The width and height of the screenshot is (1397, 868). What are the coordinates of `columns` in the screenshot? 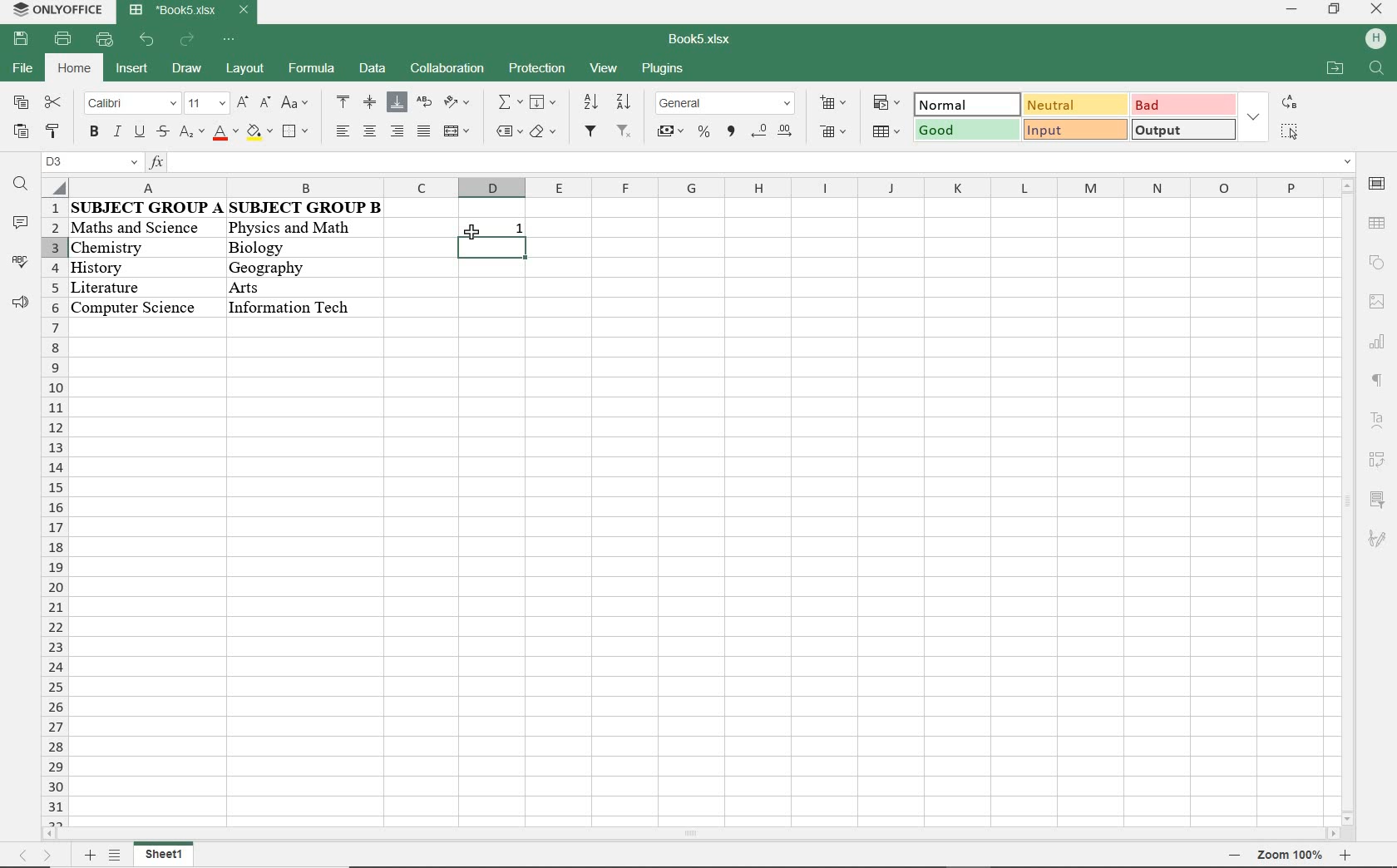 It's located at (684, 187).